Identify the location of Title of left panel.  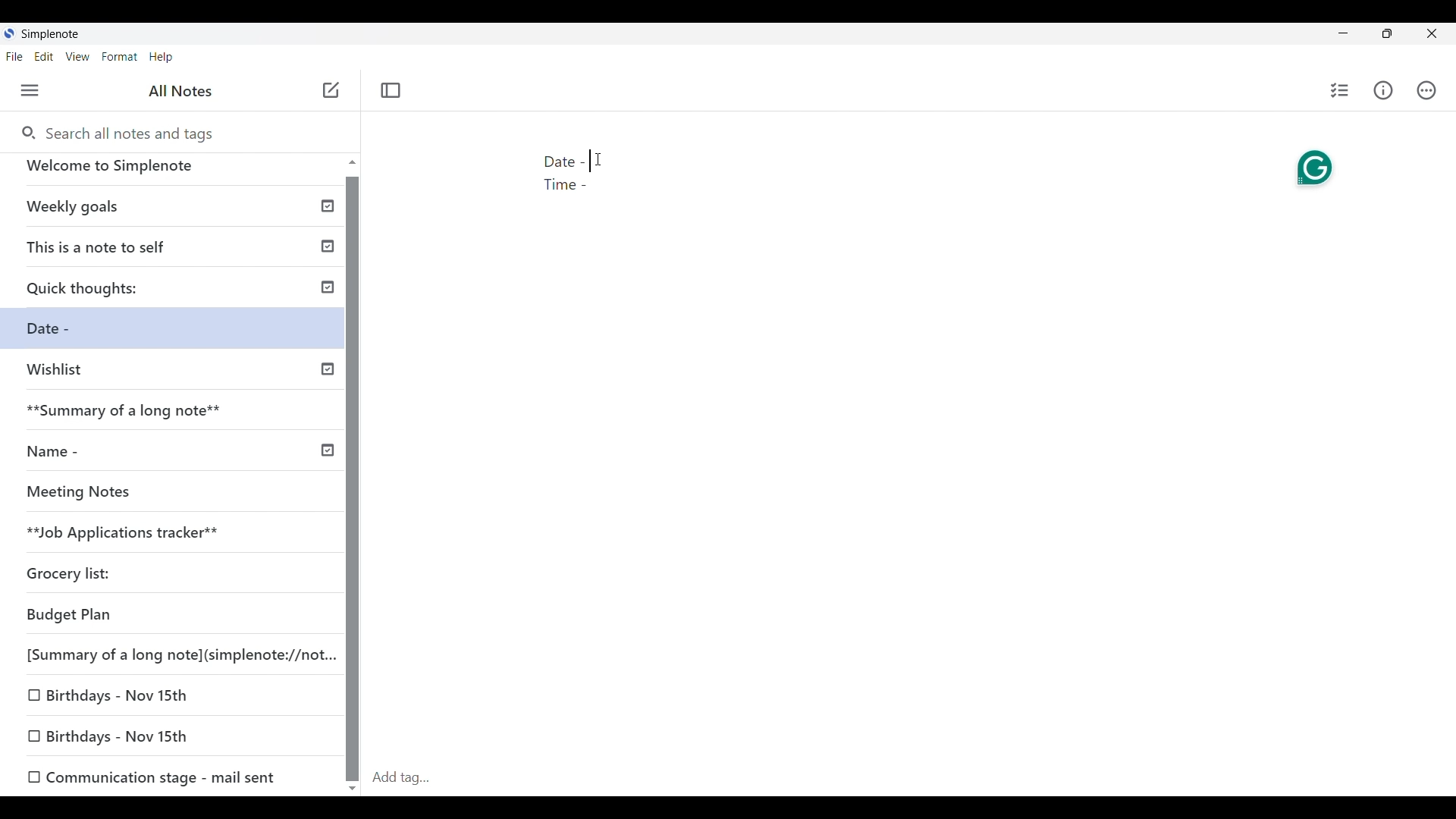
(181, 91).